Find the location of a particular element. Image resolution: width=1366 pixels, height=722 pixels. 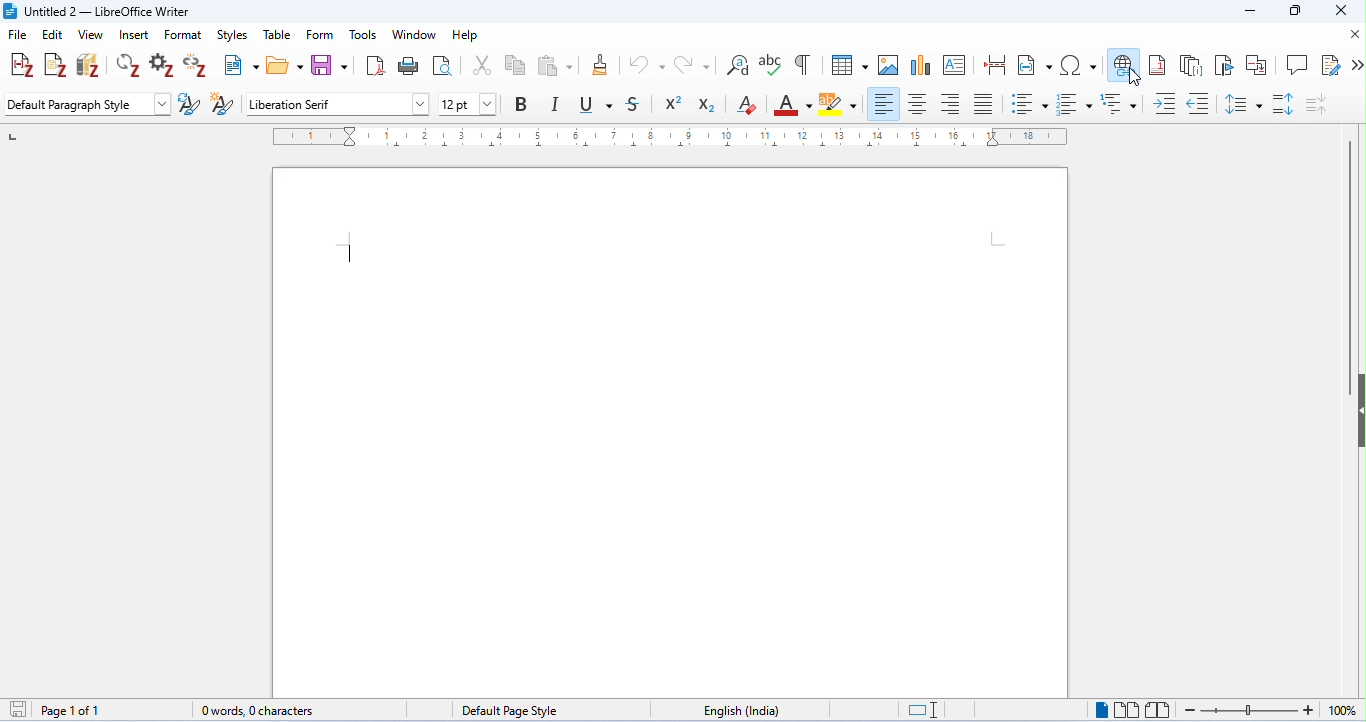

typing cursor is located at coordinates (350, 247).